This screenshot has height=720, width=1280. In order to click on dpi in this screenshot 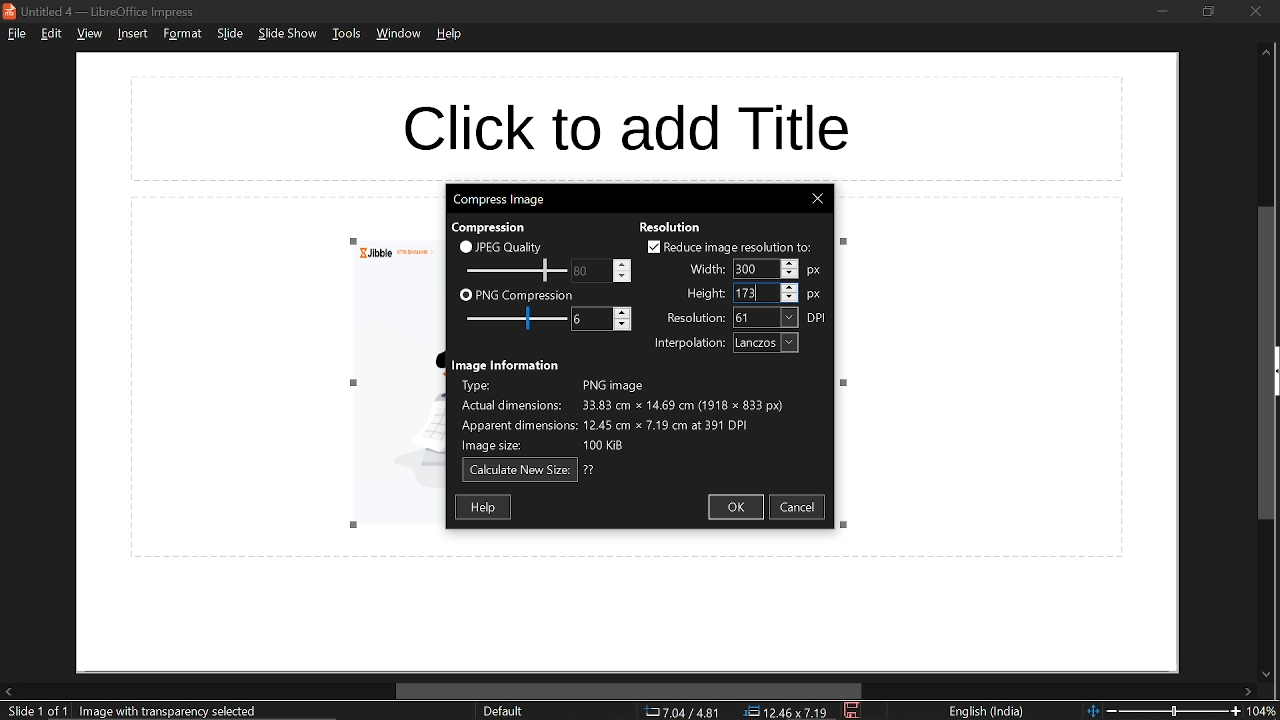, I will do `click(819, 318)`.